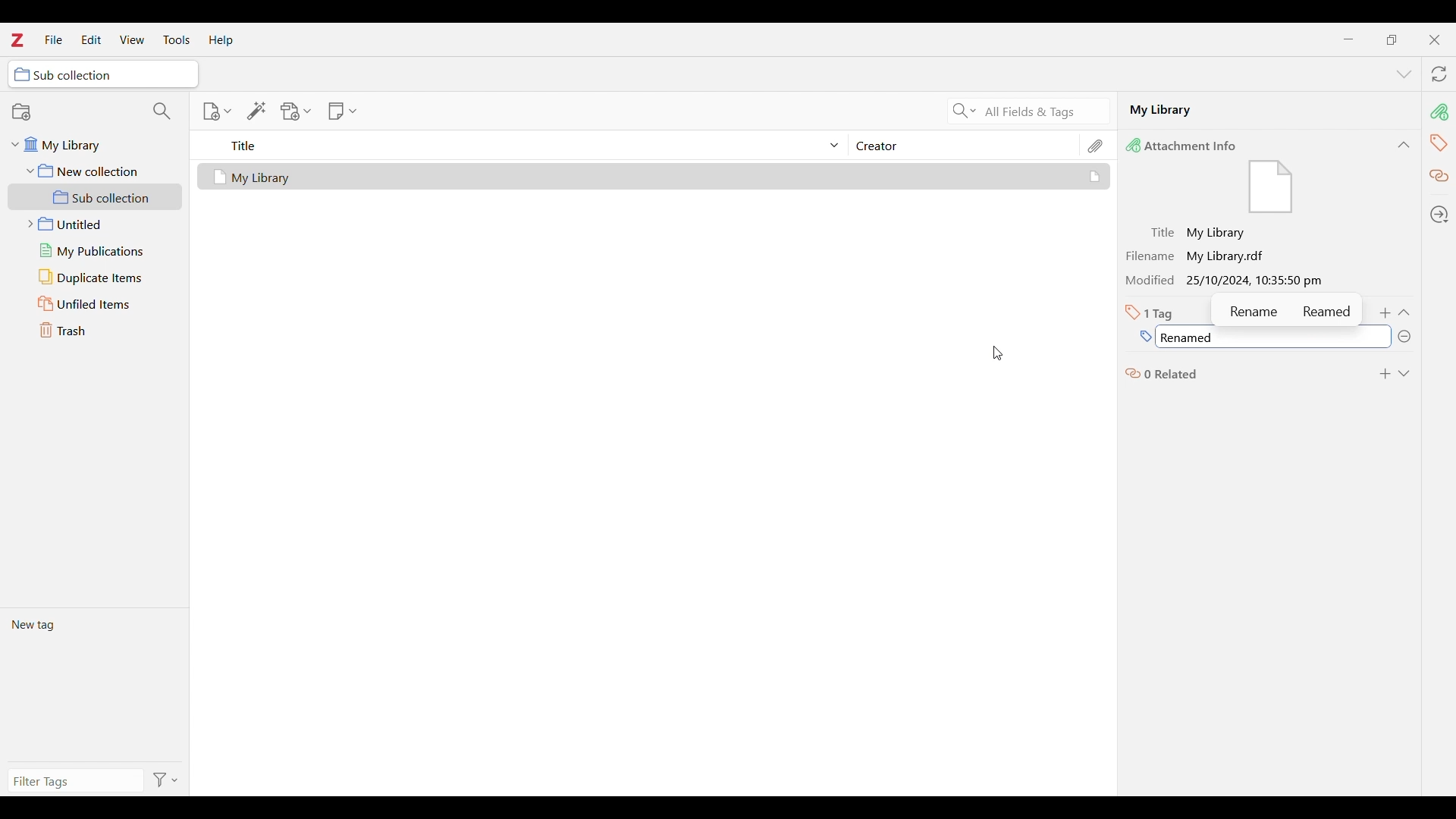  What do you see at coordinates (343, 111) in the screenshot?
I see `New note options` at bounding box center [343, 111].